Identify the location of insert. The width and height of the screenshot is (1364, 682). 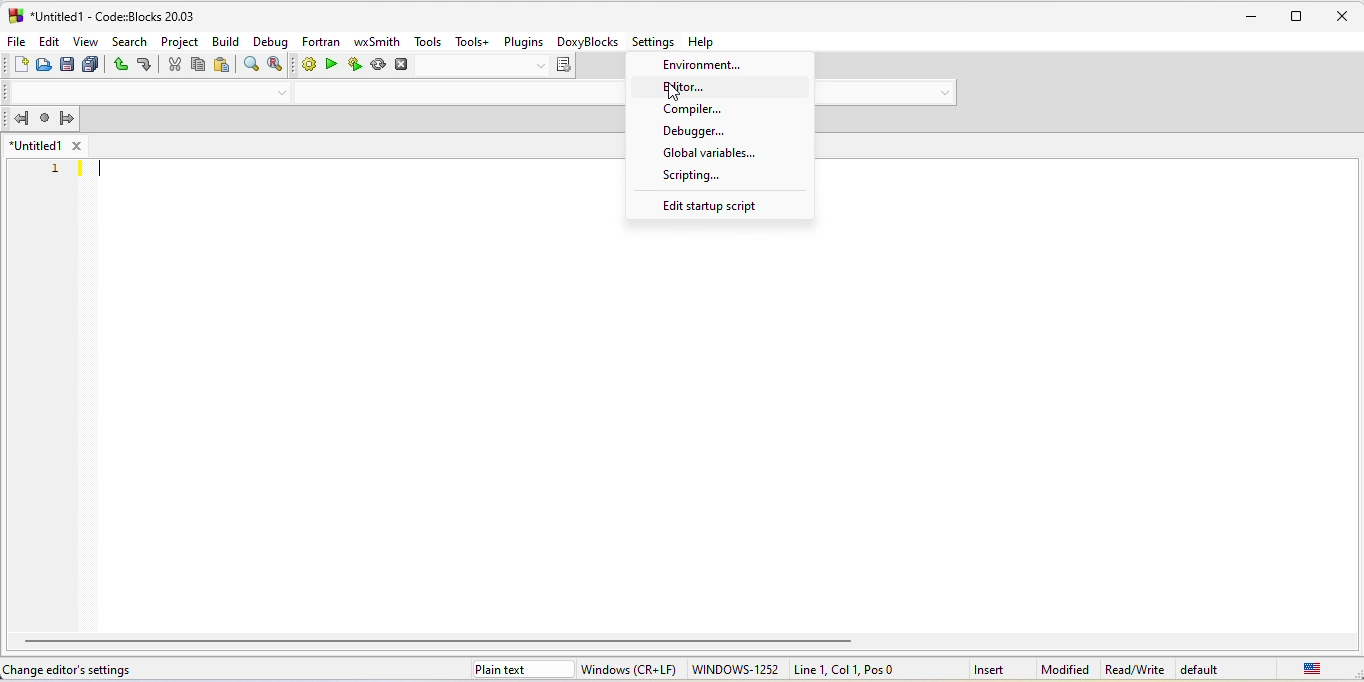
(989, 670).